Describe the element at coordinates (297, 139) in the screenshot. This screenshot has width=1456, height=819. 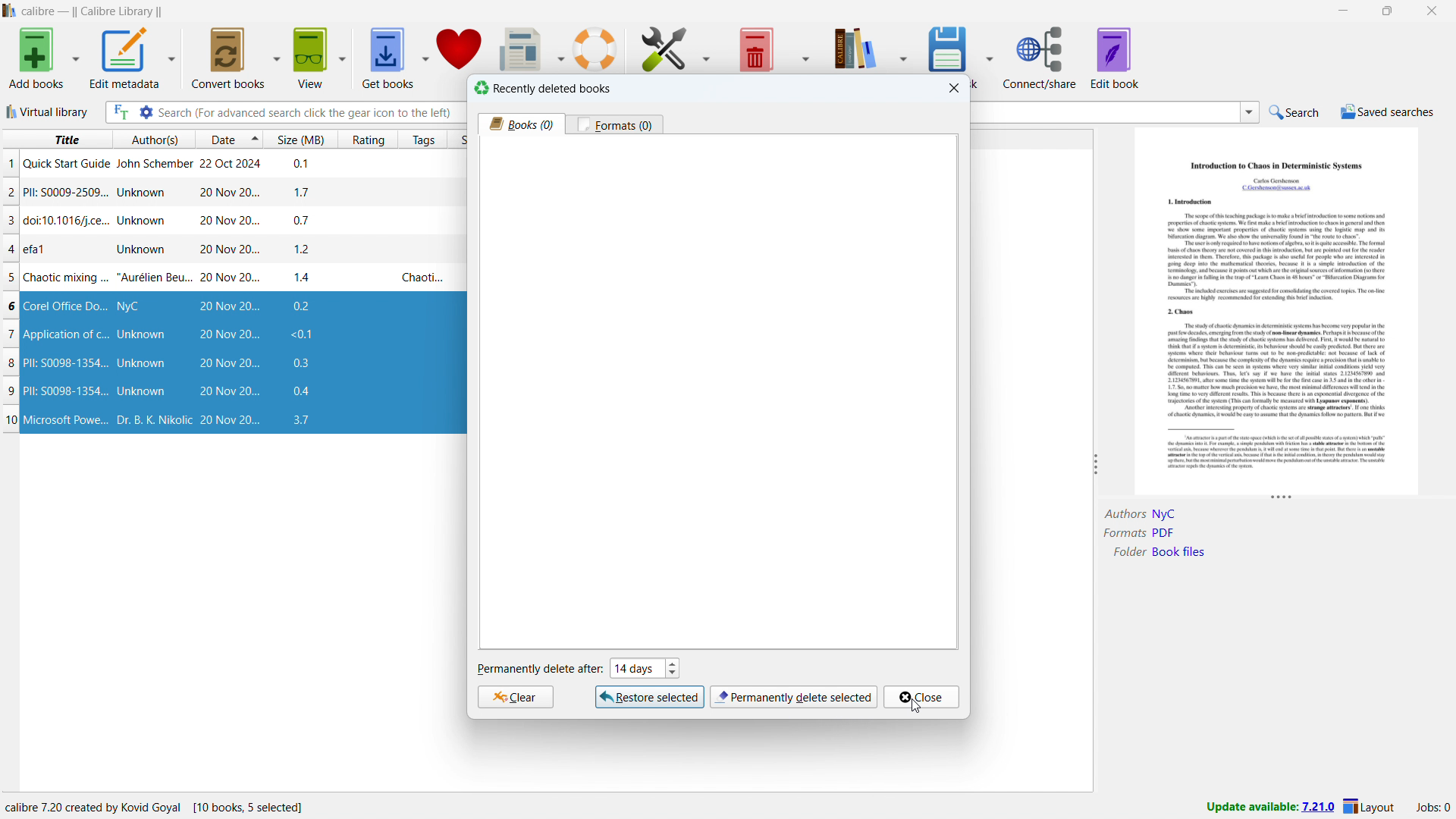
I see `sort by size` at that location.